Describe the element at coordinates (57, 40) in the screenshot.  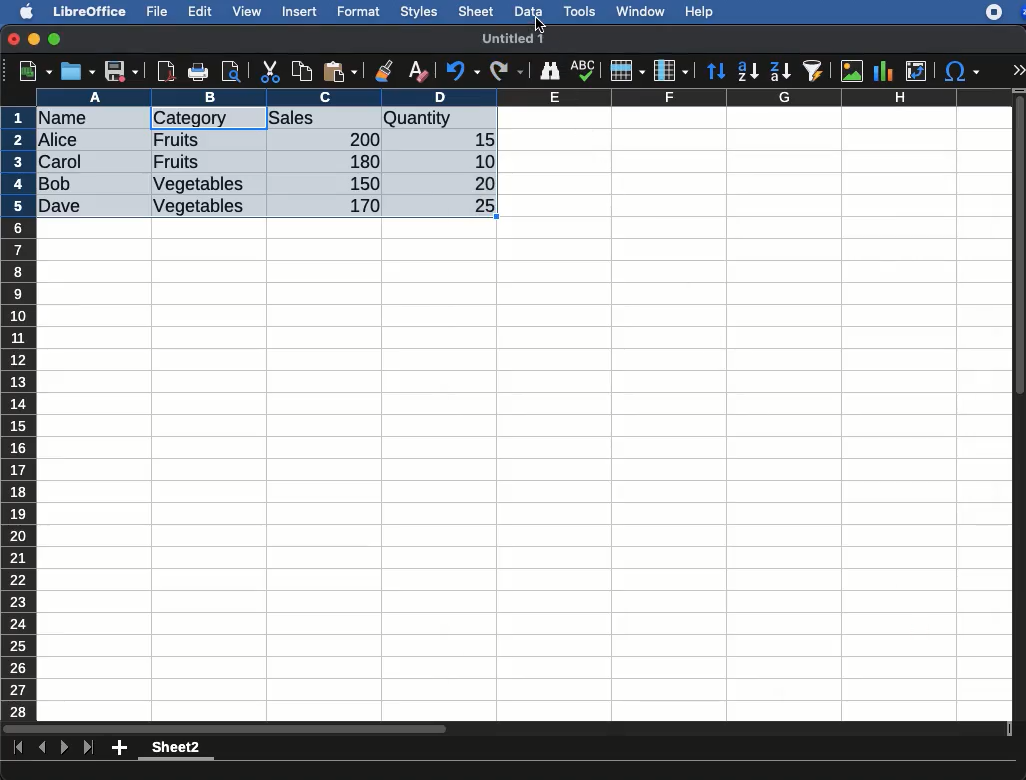
I see `maximize` at that location.